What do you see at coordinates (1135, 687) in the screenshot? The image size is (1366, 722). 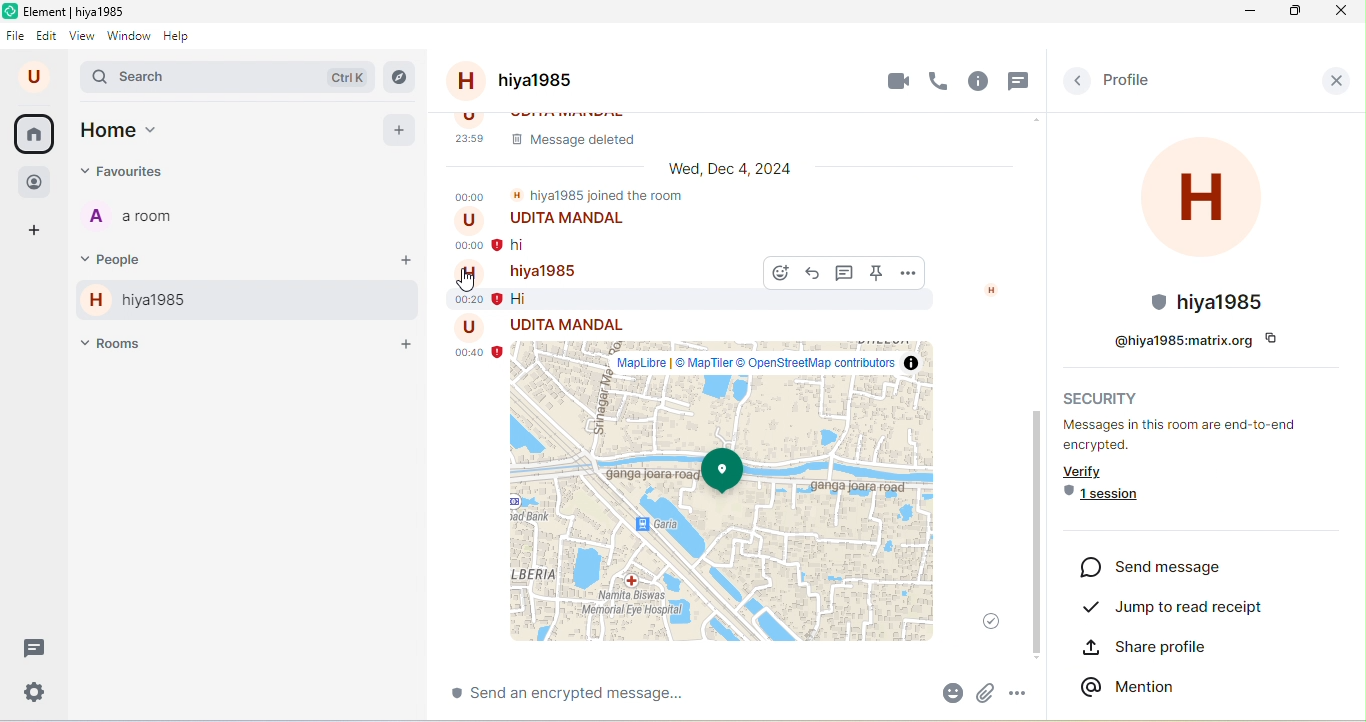 I see `mention` at bounding box center [1135, 687].